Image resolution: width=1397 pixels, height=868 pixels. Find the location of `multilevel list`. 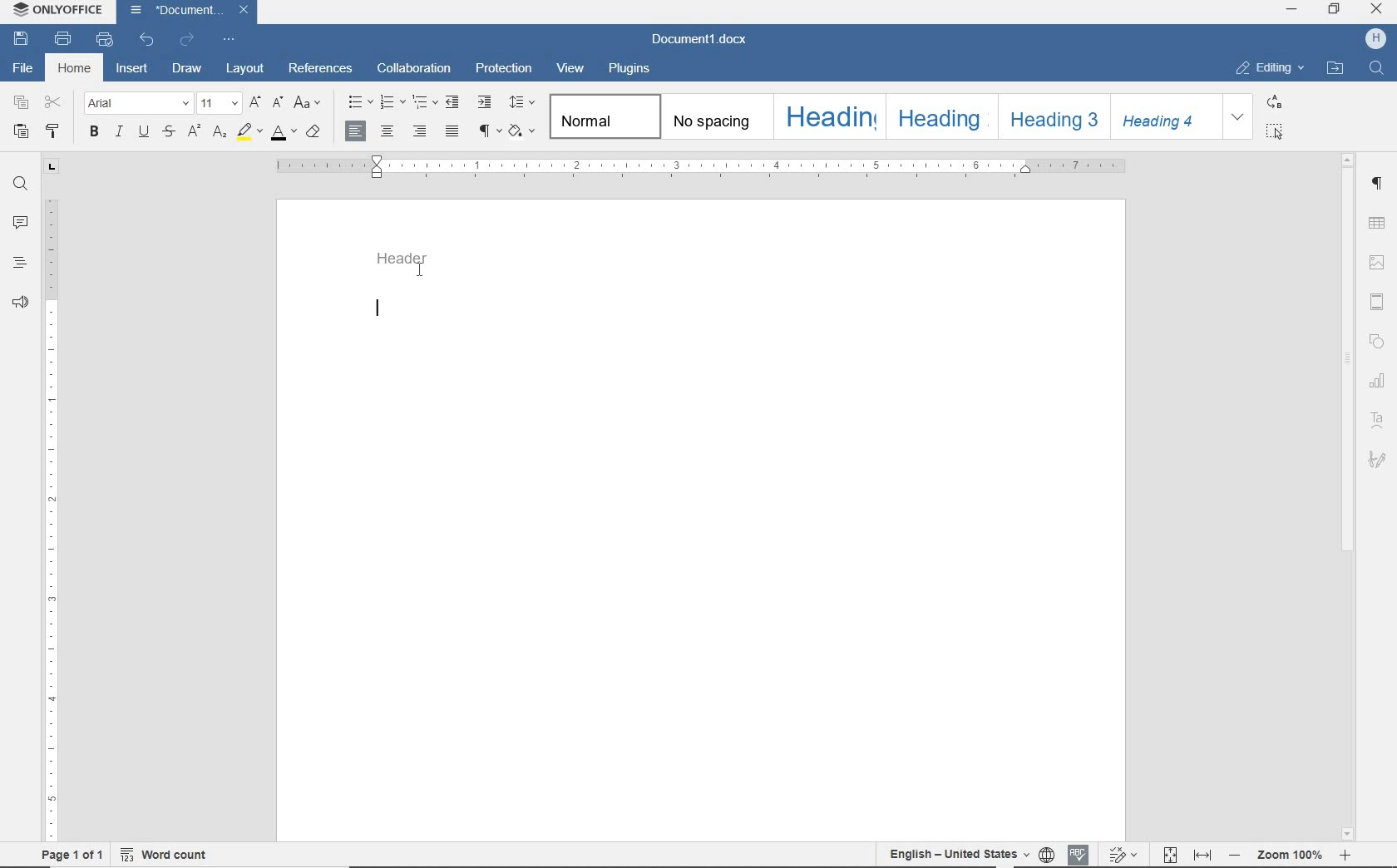

multilevel list is located at coordinates (425, 103).